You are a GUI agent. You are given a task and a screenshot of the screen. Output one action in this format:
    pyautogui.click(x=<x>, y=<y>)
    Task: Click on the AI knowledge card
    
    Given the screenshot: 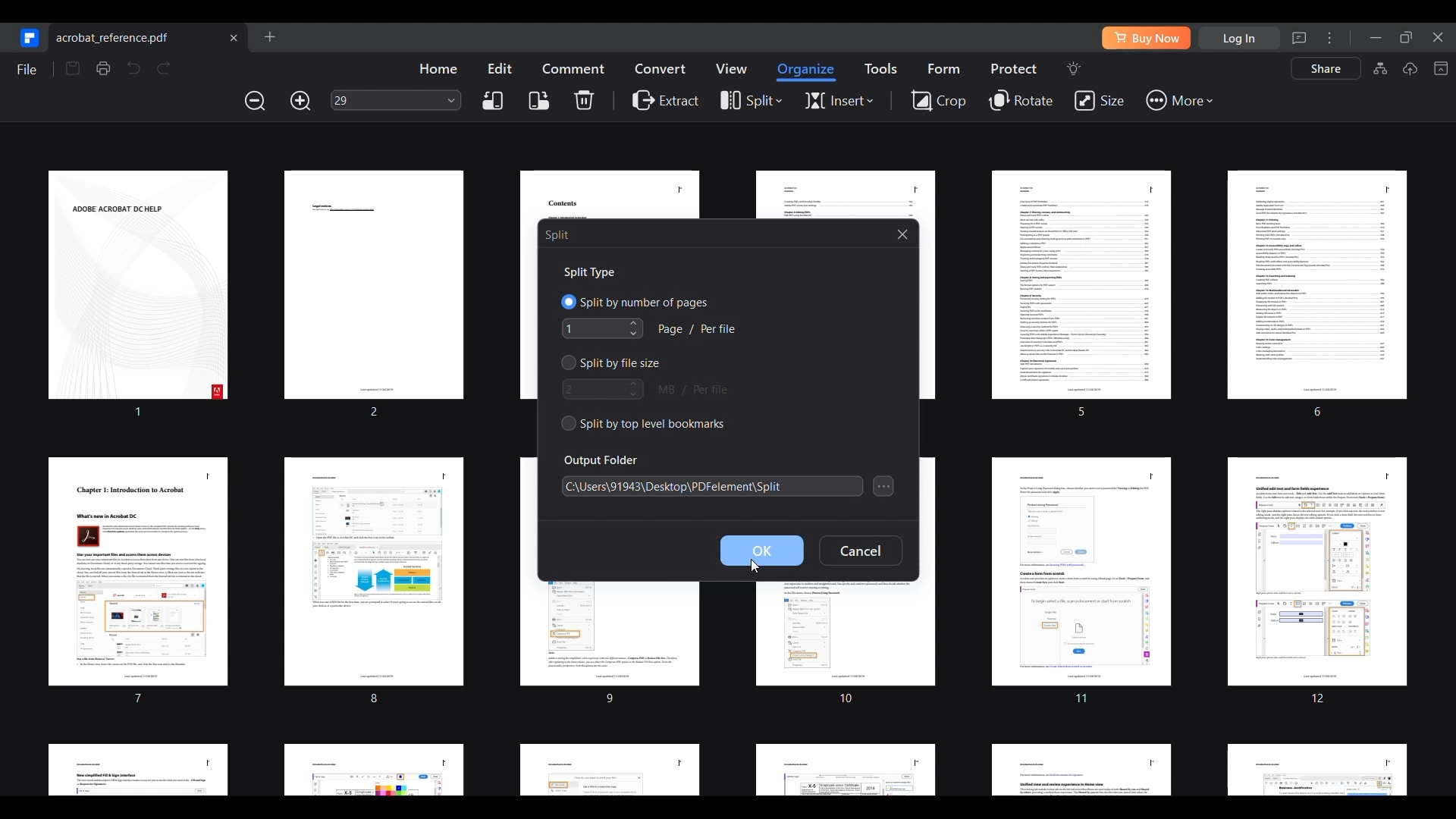 What is the action you would take?
    pyautogui.click(x=1380, y=68)
    